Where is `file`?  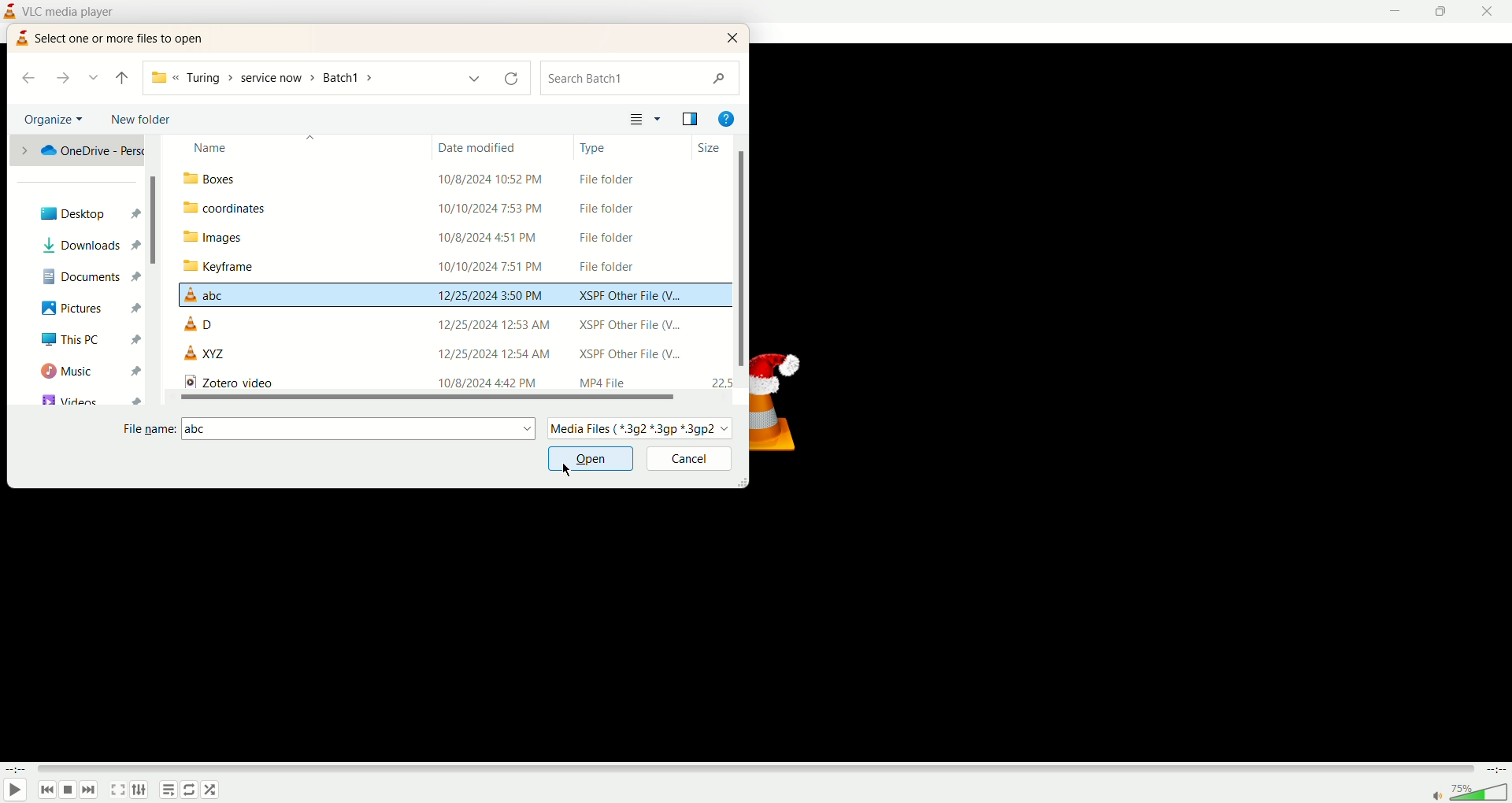
file is located at coordinates (451, 381).